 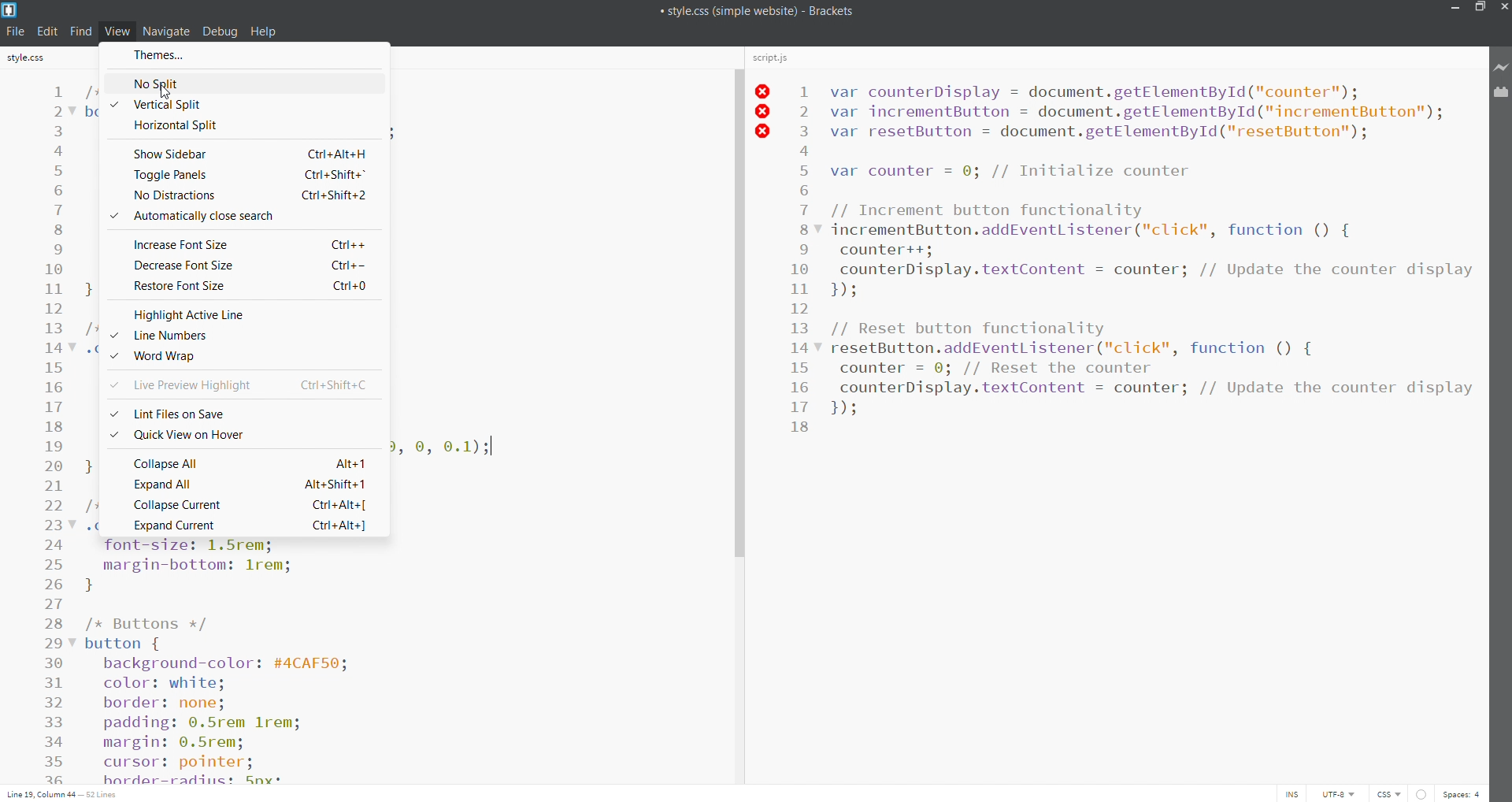 What do you see at coordinates (1455, 9) in the screenshot?
I see `minimize` at bounding box center [1455, 9].